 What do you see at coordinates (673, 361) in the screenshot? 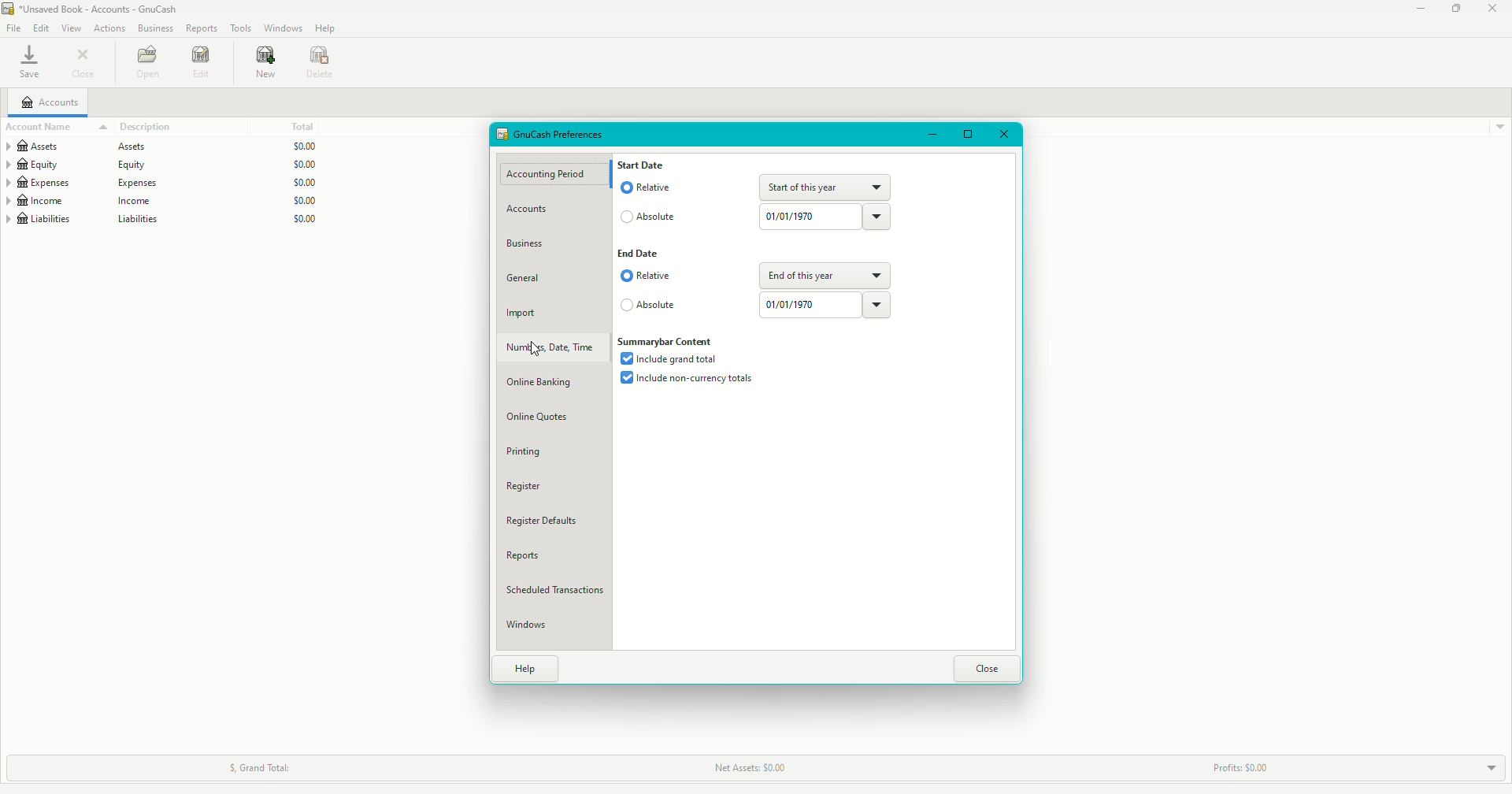
I see `Include grand total` at bounding box center [673, 361].